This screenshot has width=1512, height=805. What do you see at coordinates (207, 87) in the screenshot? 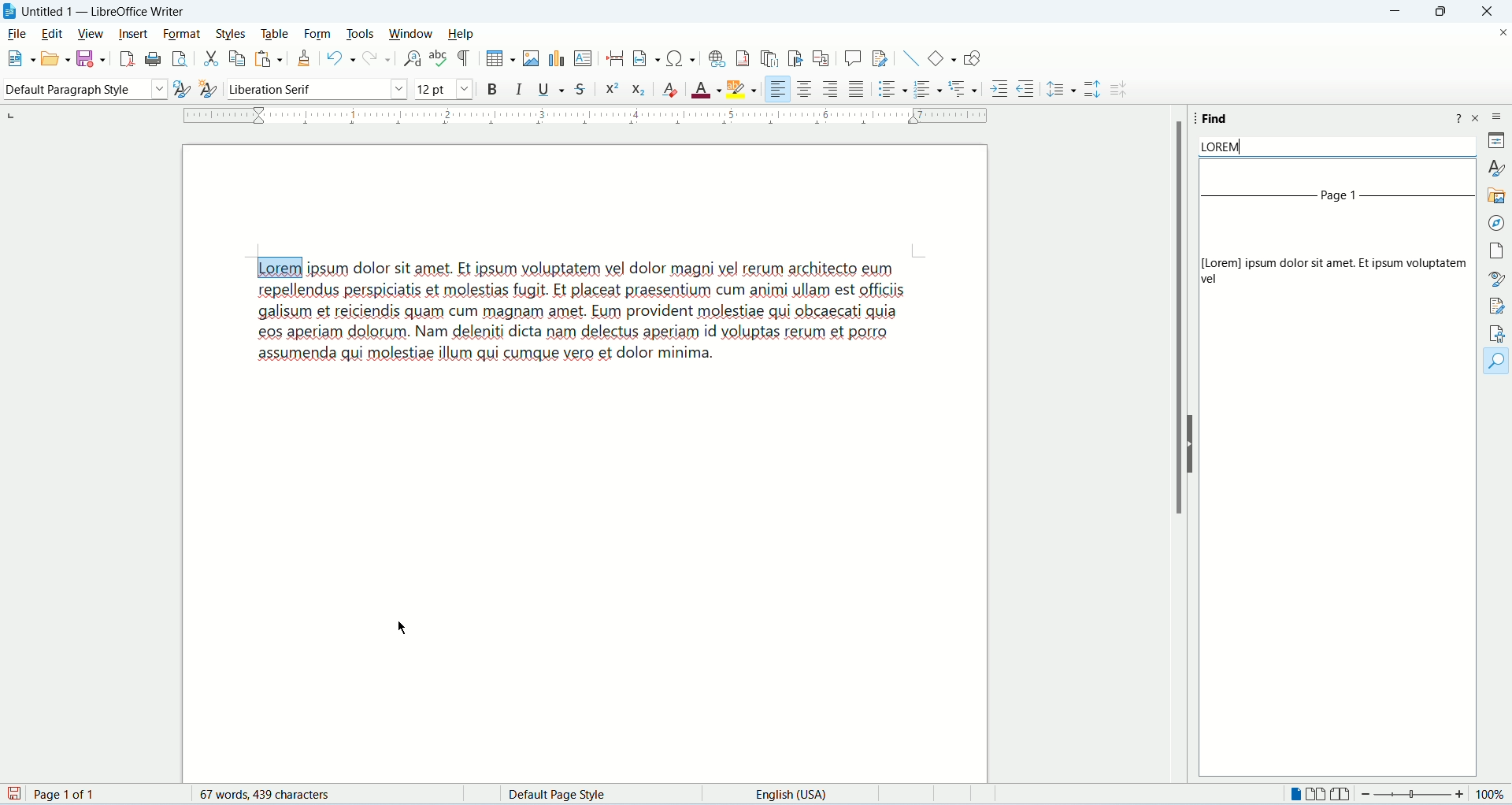
I see `select new style` at bounding box center [207, 87].